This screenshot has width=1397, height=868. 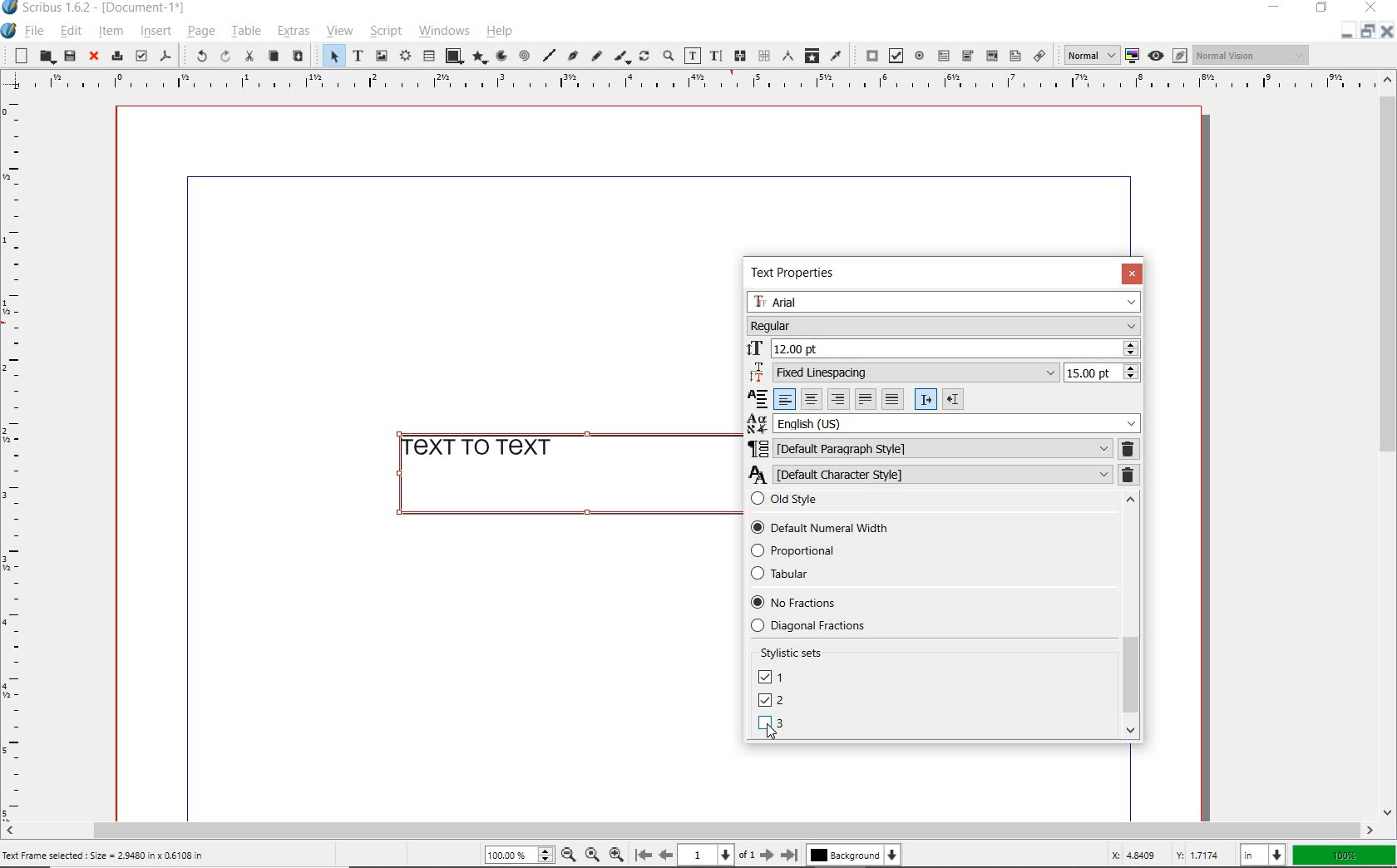 I want to click on line, so click(x=548, y=55).